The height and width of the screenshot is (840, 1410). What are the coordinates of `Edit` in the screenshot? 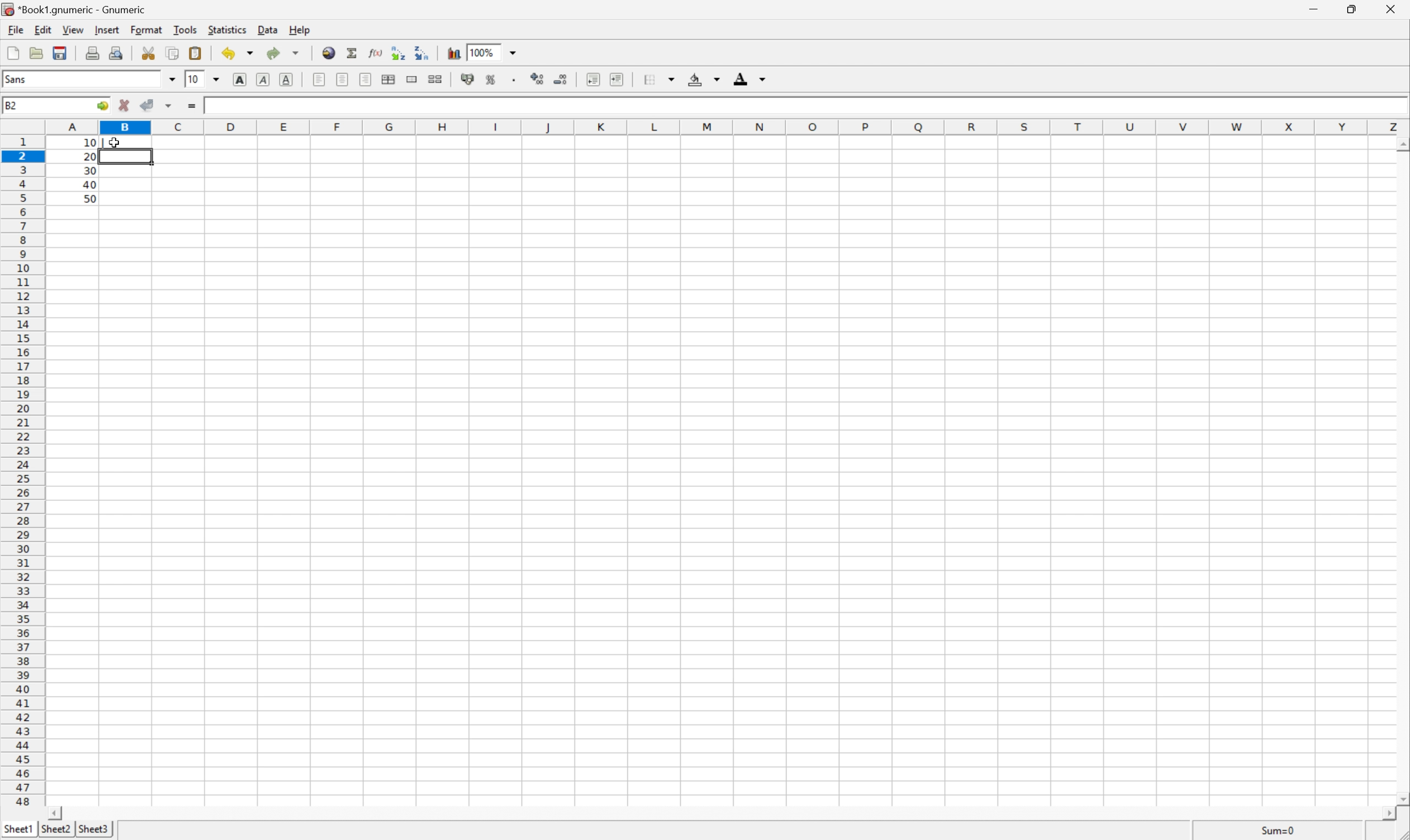 It's located at (42, 29).